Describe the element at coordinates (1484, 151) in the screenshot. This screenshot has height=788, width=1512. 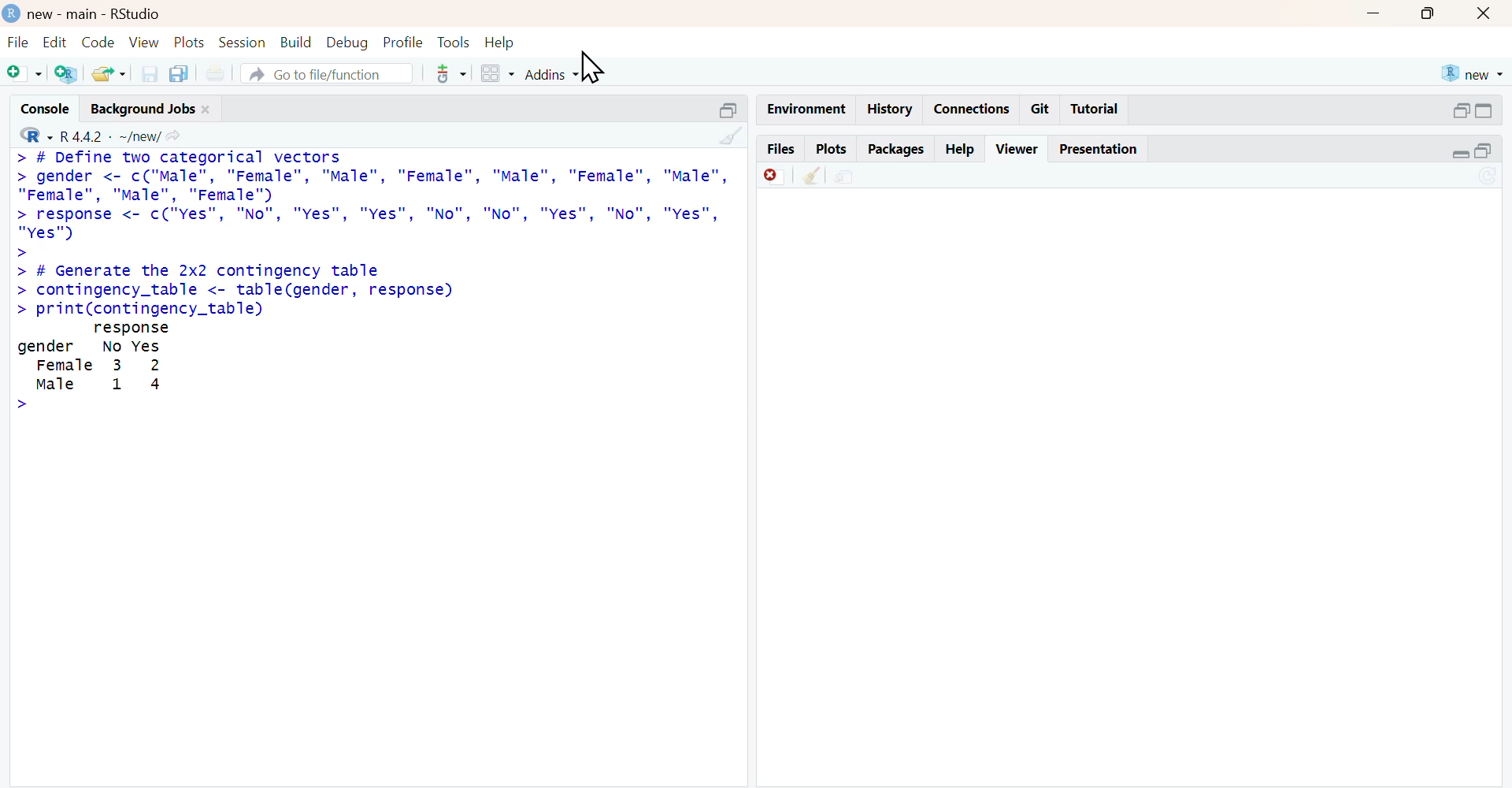
I see `open in separate window` at that location.